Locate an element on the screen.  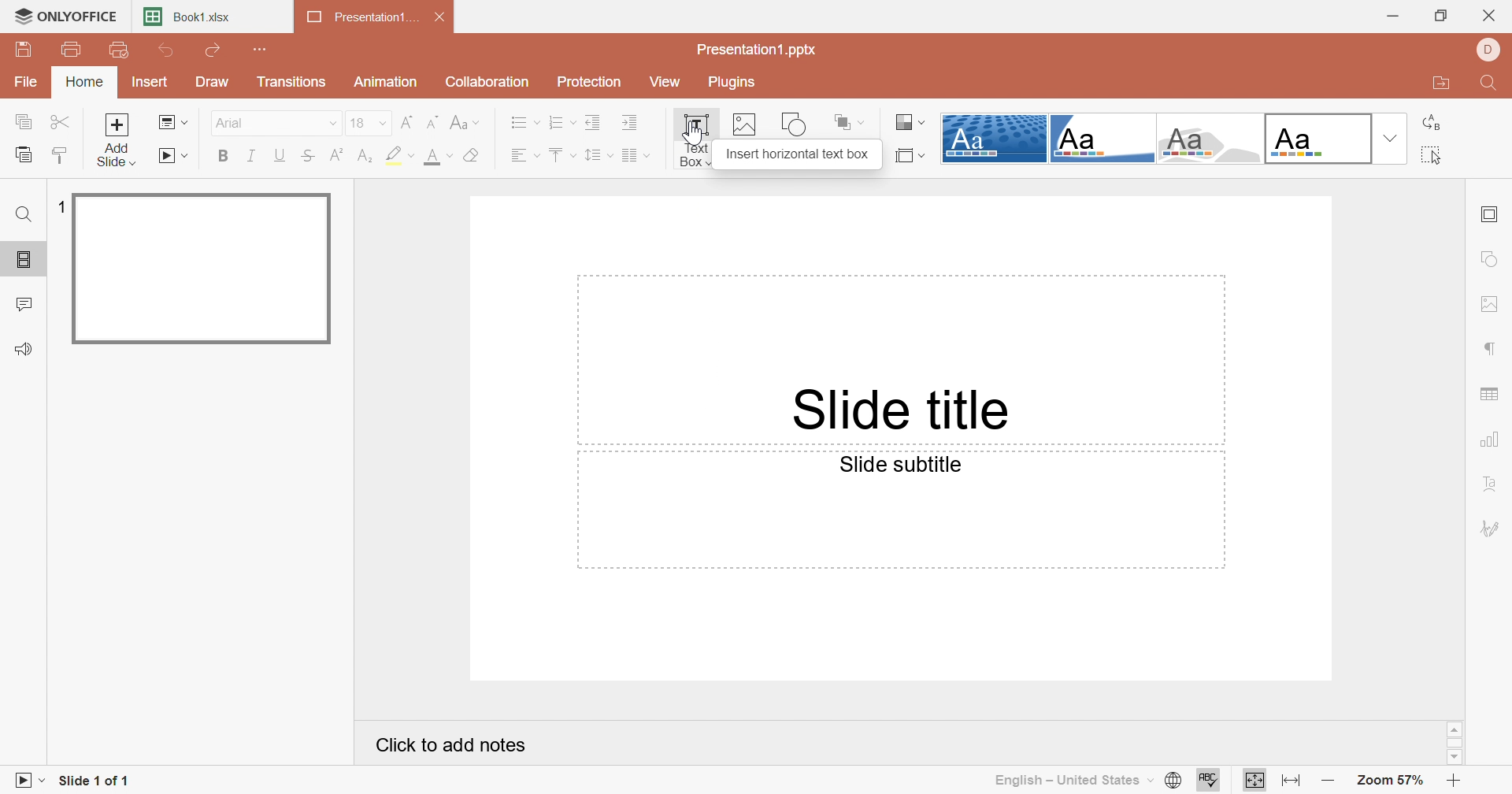
File is located at coordinates (26, 84).